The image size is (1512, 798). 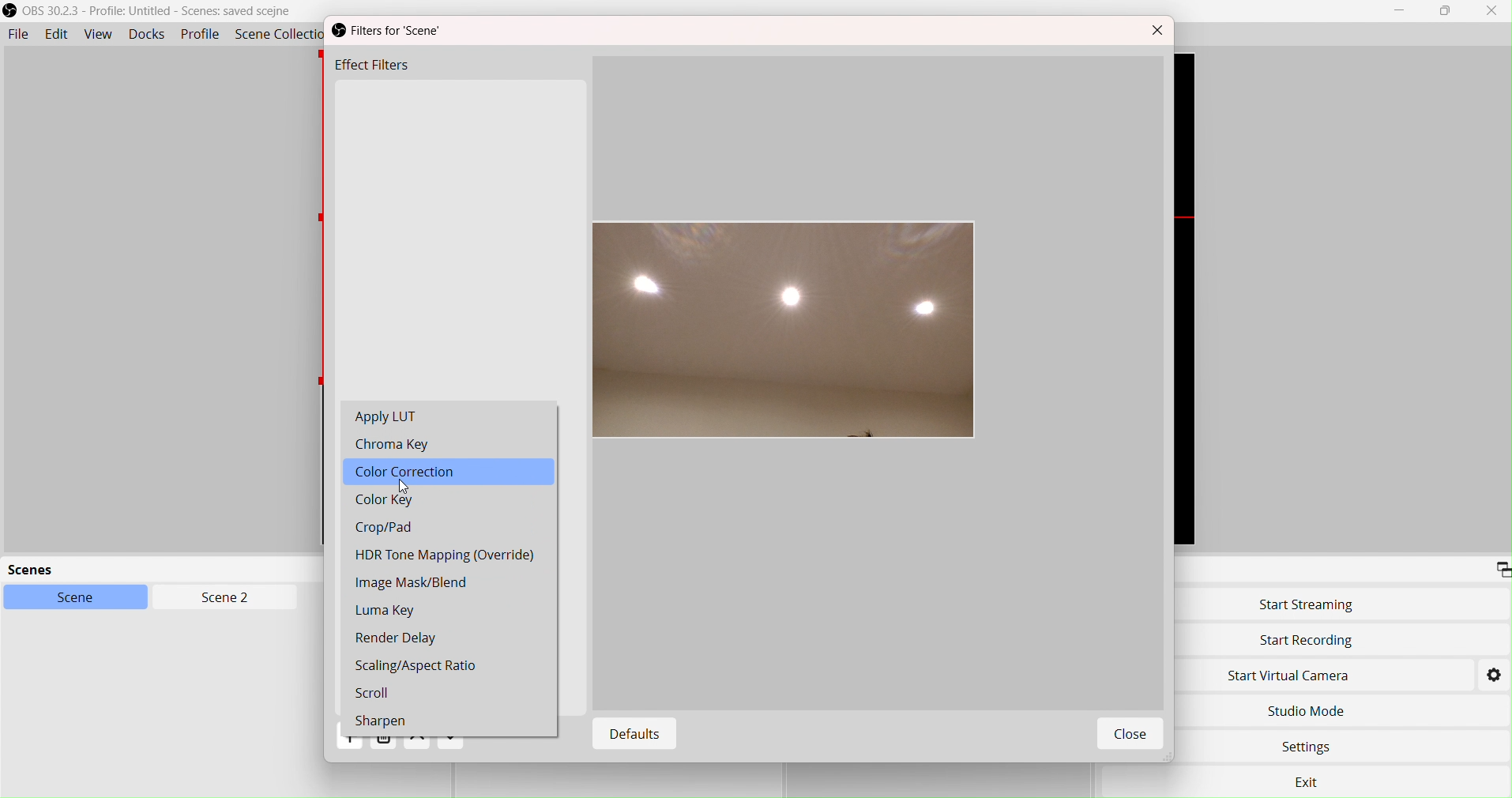 What do you see at coordinates (151, 36) in the screenshot?
I see `Docks` at bounding box center [151, 36].